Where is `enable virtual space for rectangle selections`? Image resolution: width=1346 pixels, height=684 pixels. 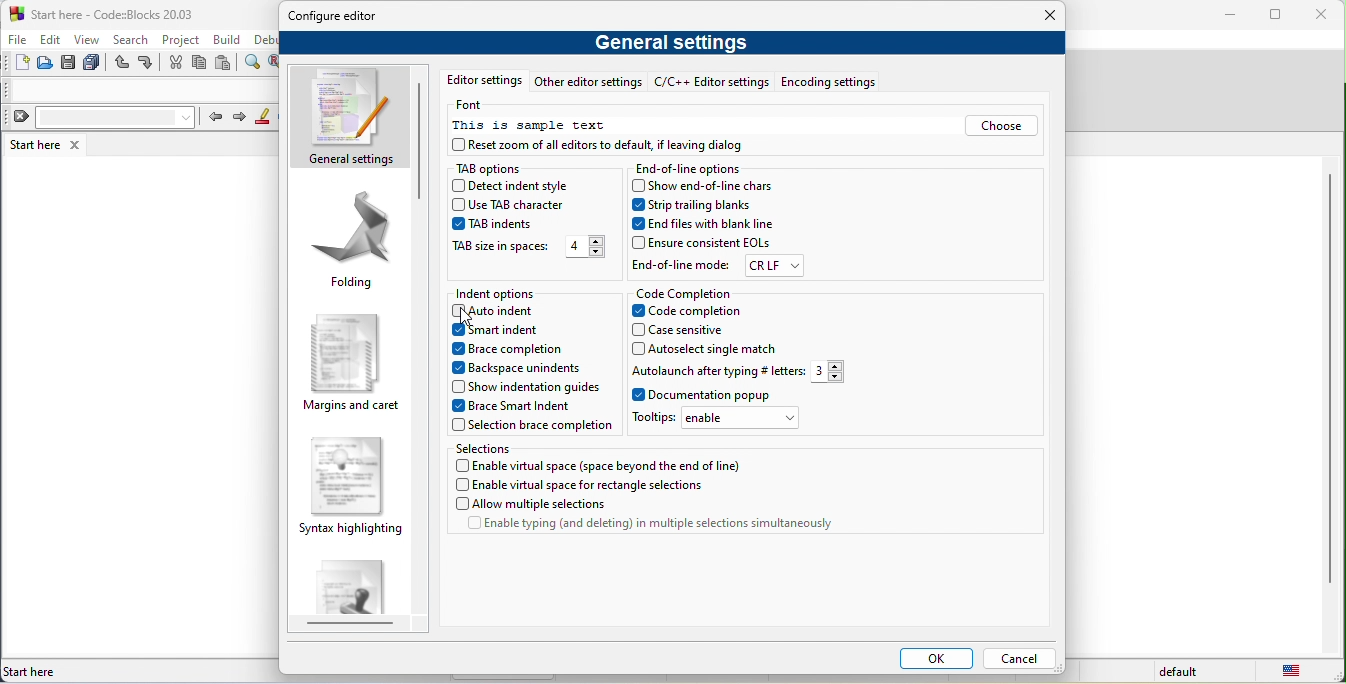
enable virtual space for rectangle selections is located at coordinates (586, 484).